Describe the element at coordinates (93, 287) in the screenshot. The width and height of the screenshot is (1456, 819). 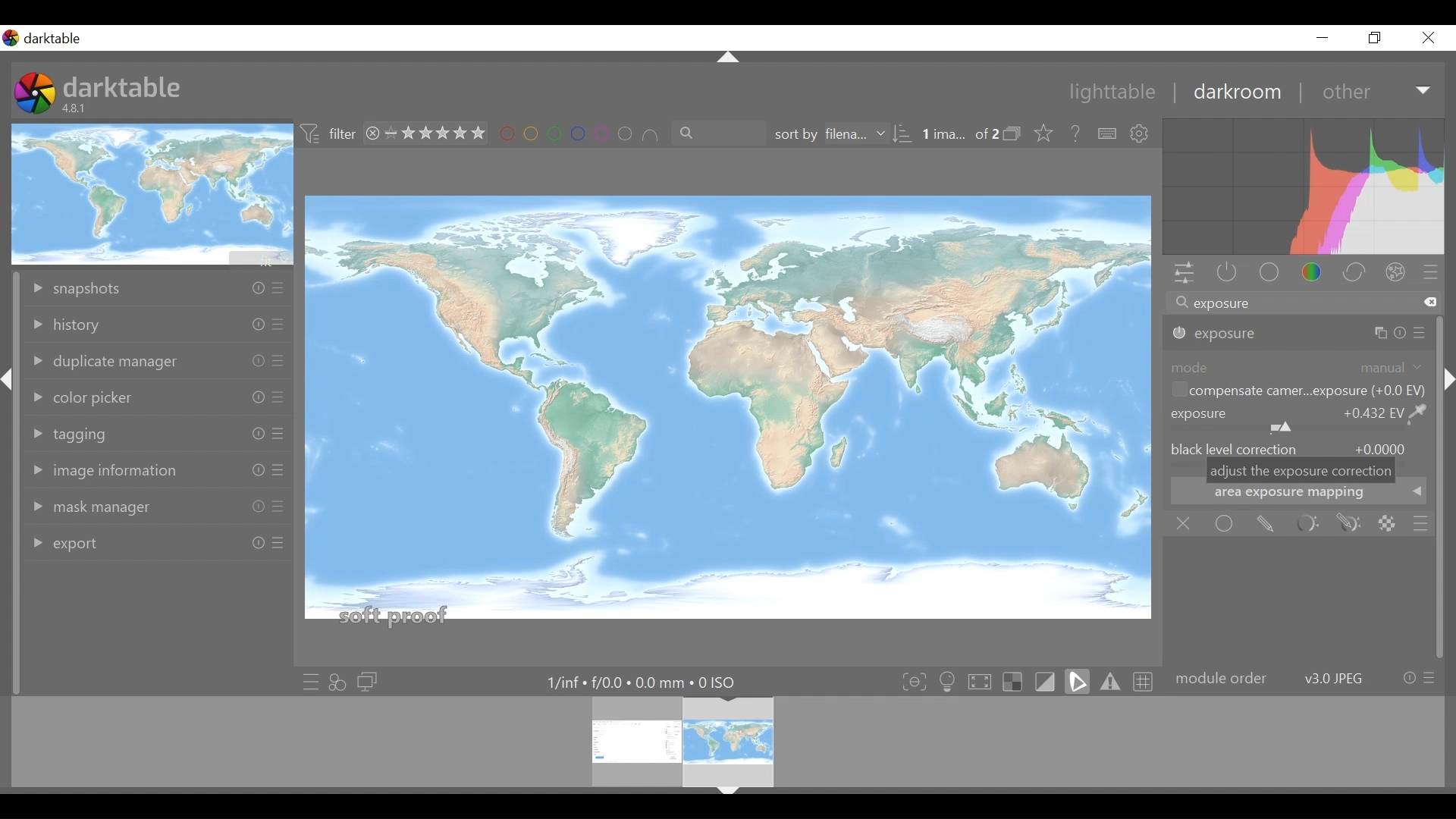
I see `snapshots` at that location.